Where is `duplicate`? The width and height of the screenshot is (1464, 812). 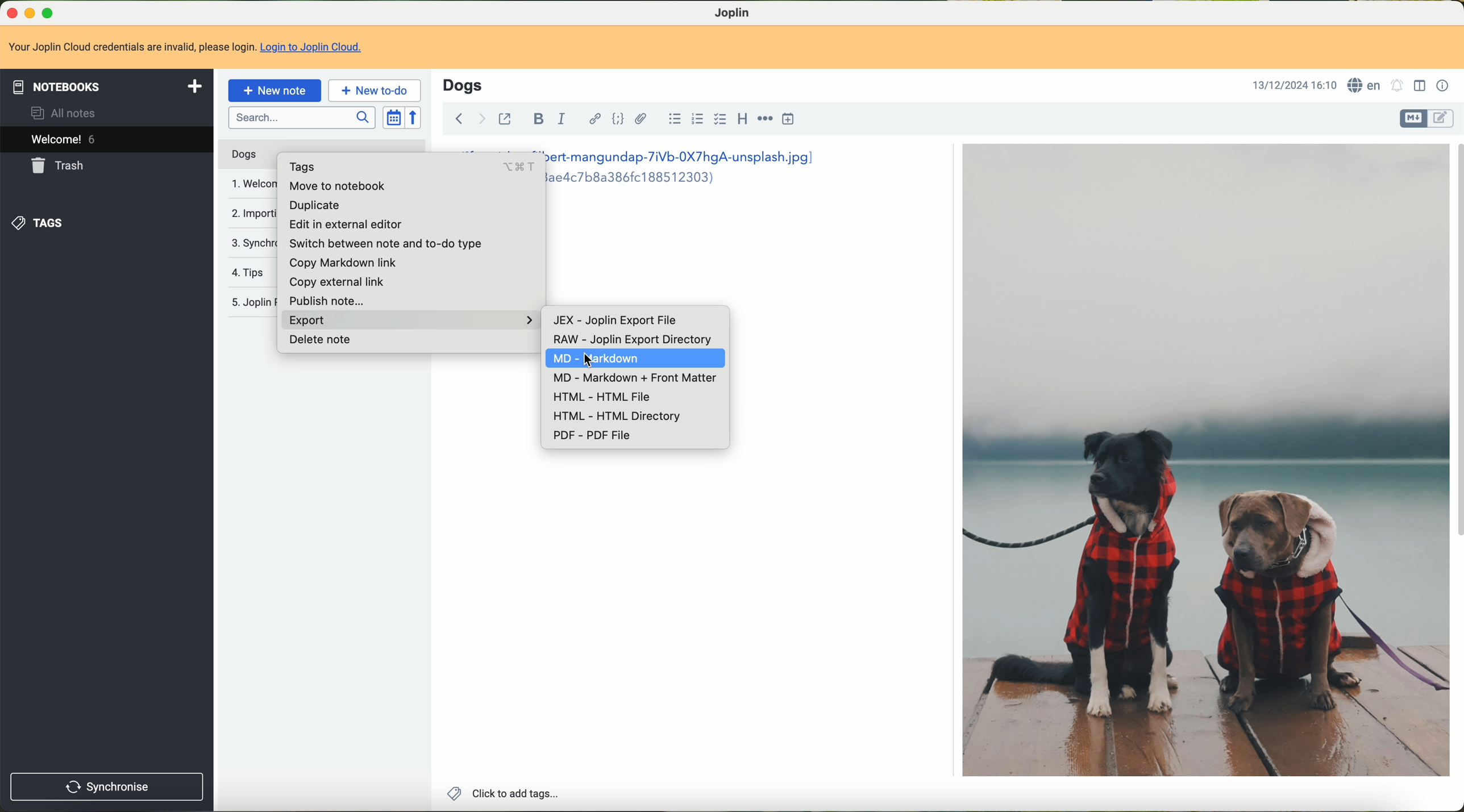
duplicate is located at coordinates (315, 206).